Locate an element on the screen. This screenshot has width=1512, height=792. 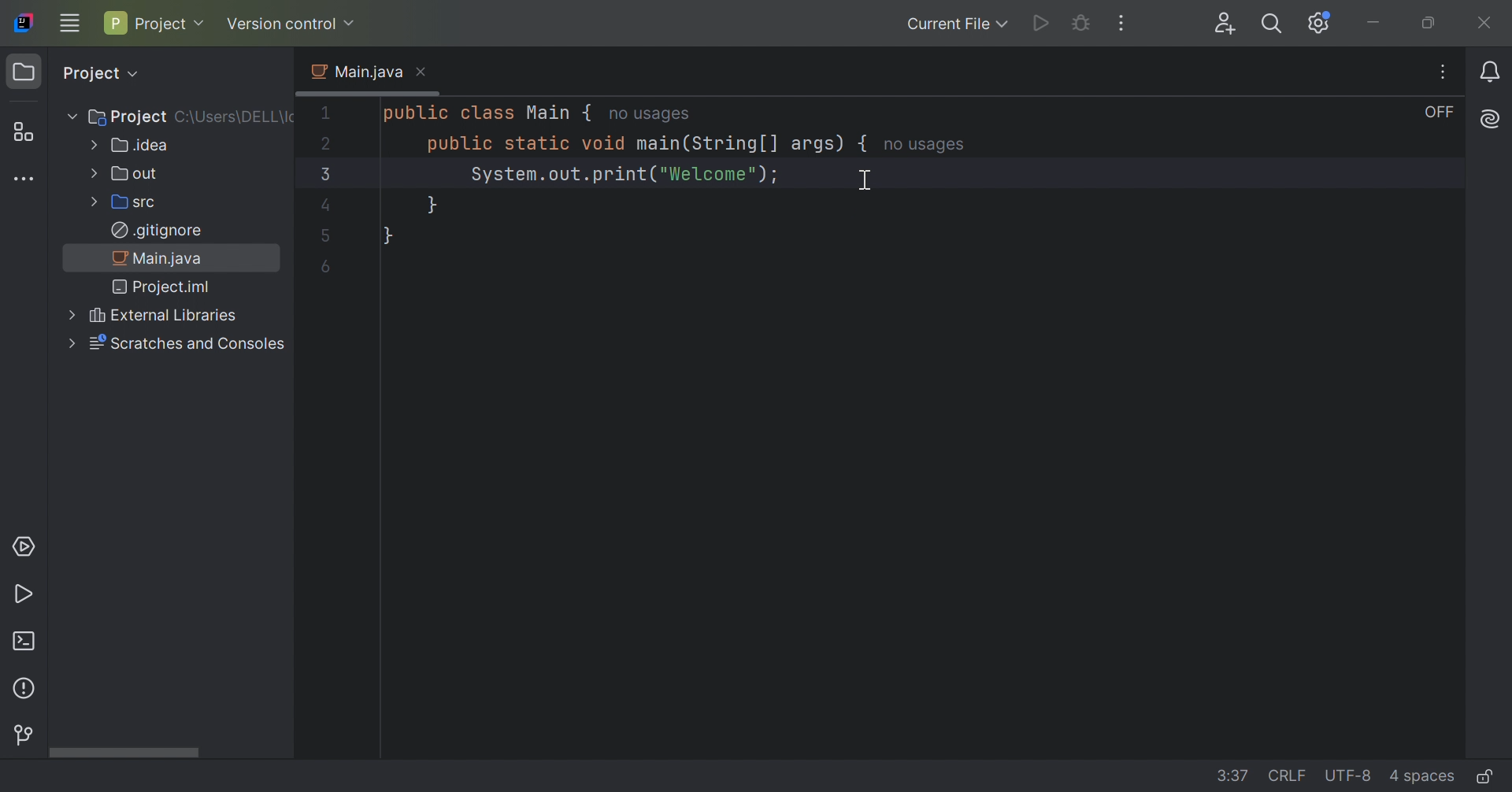
Problems is located at coordinates (26, 691).